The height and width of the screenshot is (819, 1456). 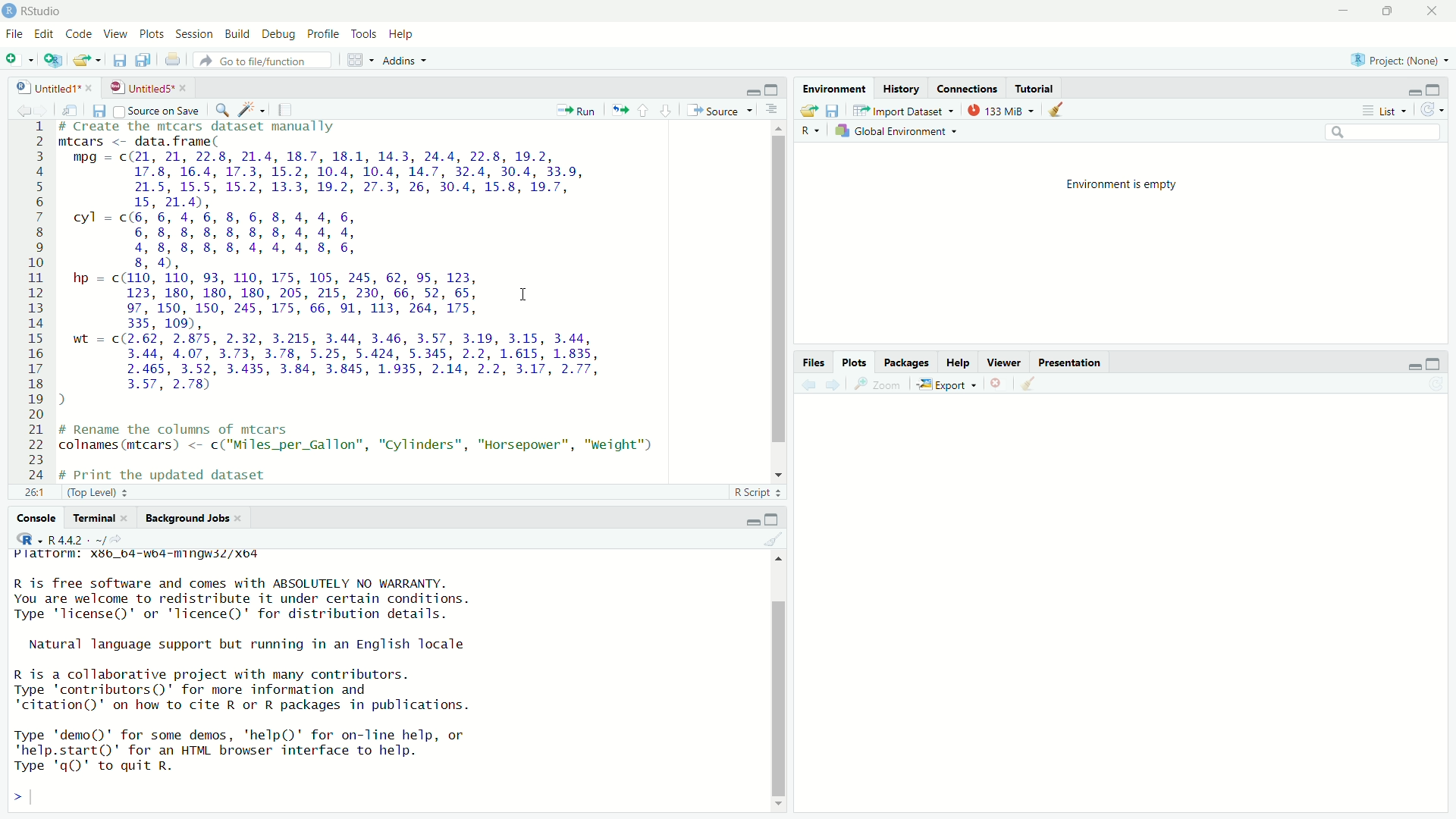 I want to click on print, so click(x=173, y=61).